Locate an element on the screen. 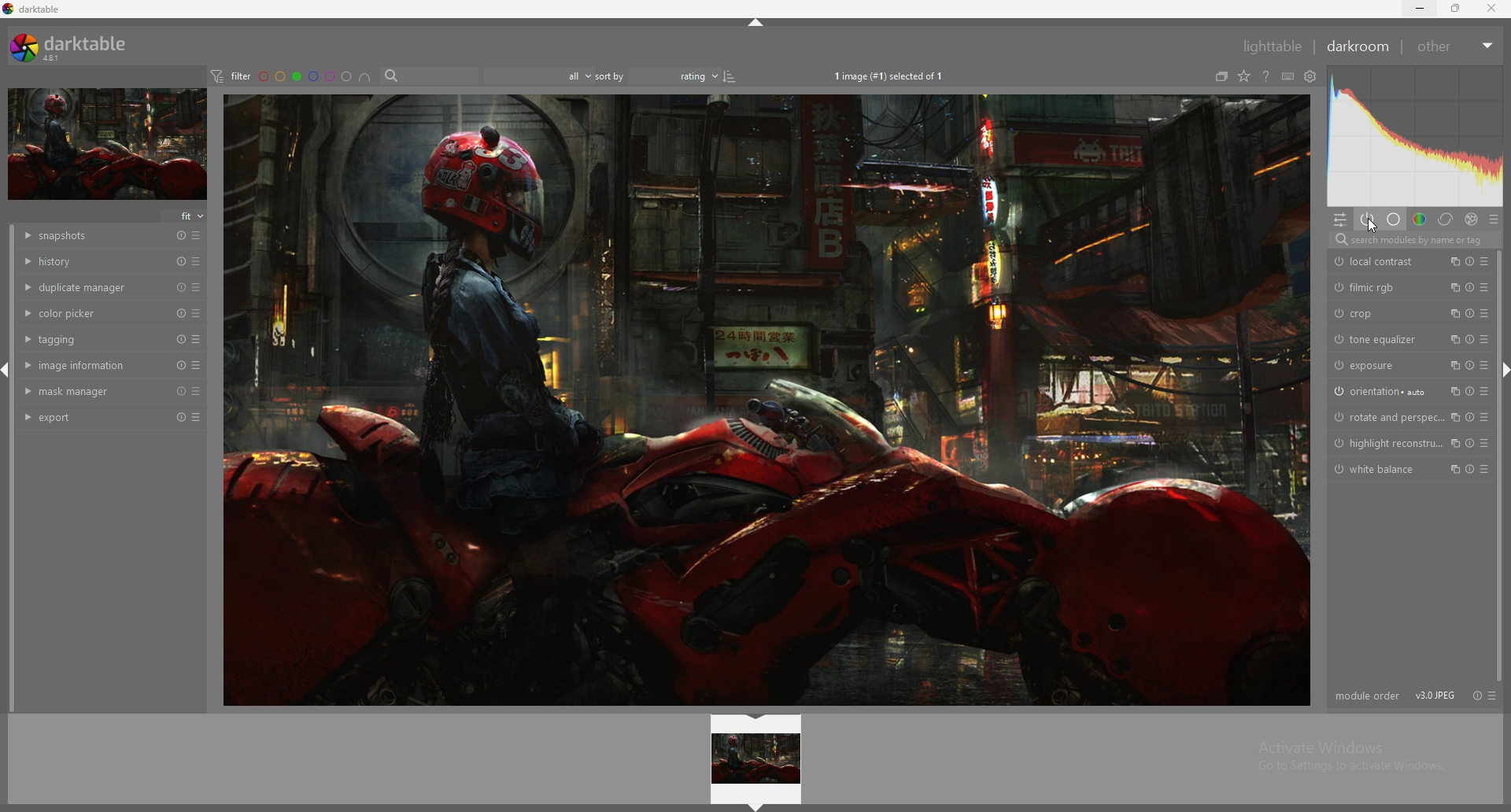 This screenshot has width=1511, height=812. target image minimized is located at coordinates (106, 145).